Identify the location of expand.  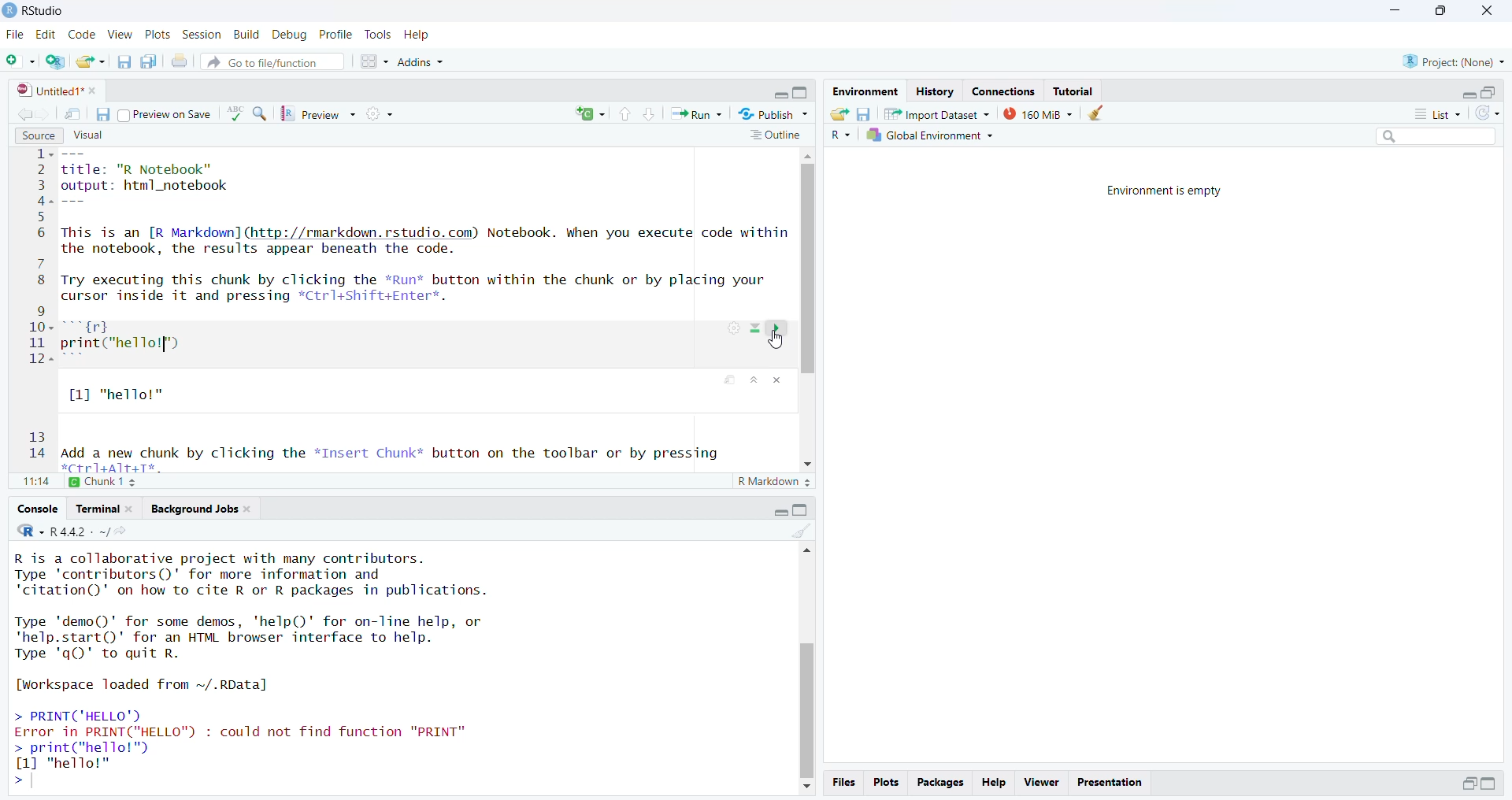
(1469, 94).